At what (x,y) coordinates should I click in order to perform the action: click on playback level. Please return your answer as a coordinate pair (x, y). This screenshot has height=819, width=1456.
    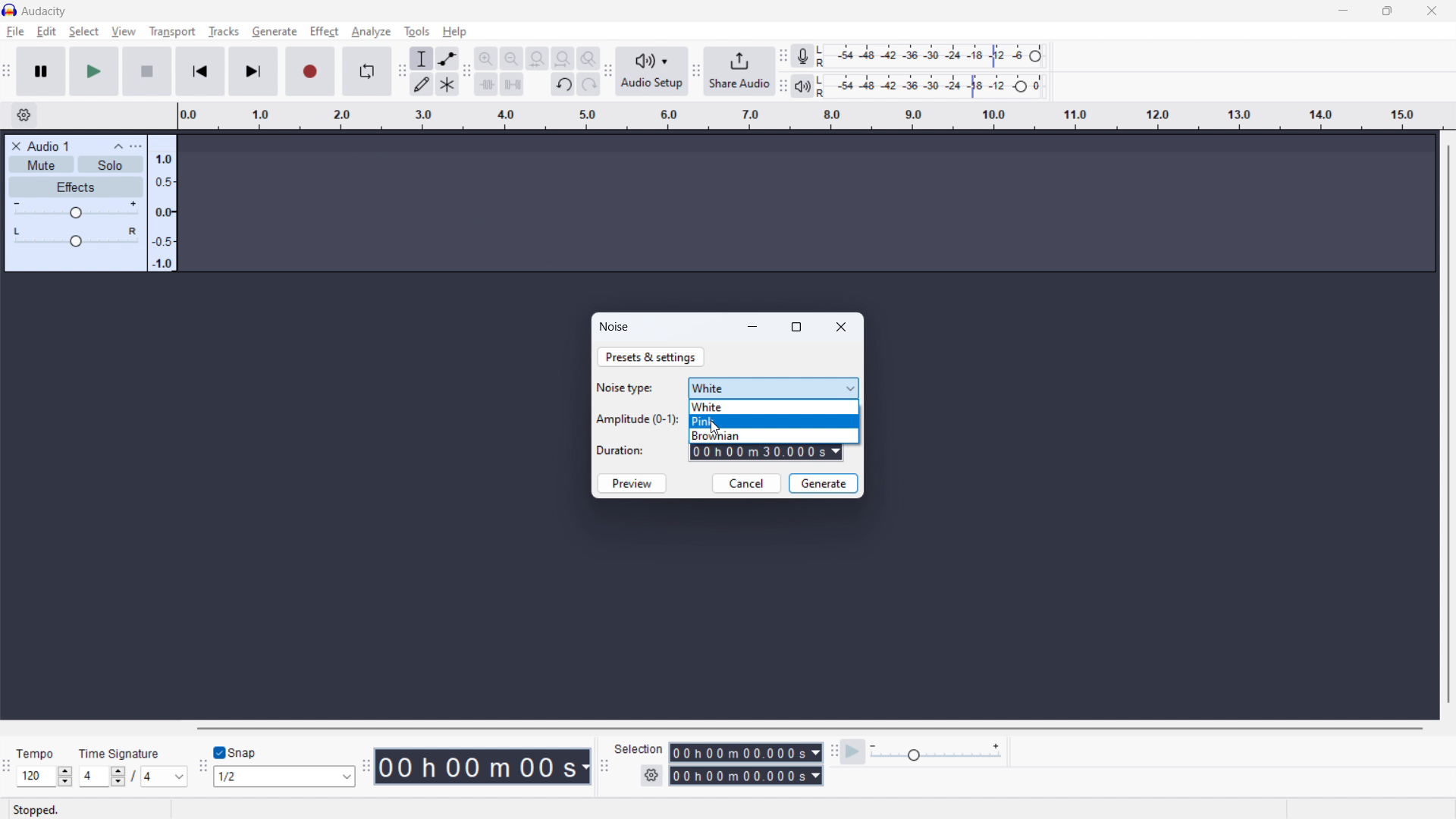
    Looking at the image, I should click on (931, 86).